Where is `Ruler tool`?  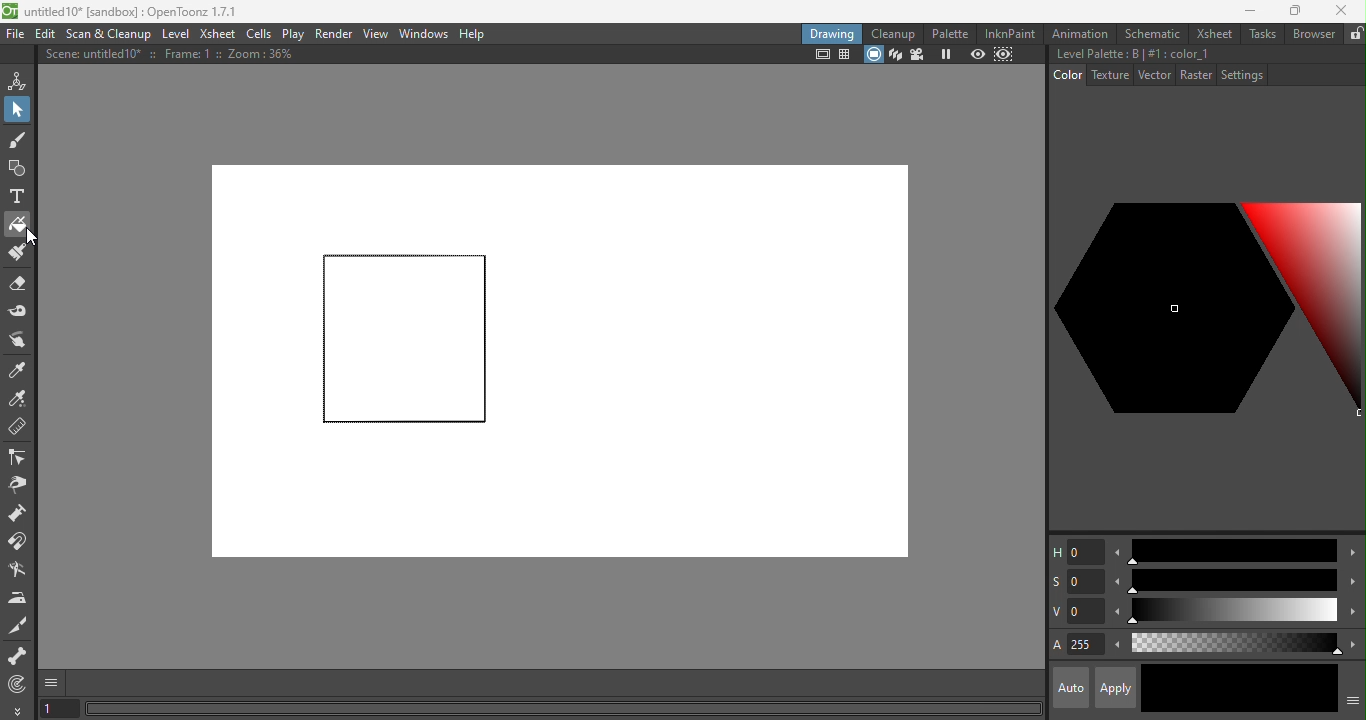 Ruler tool is located at coordinates (18, 429).